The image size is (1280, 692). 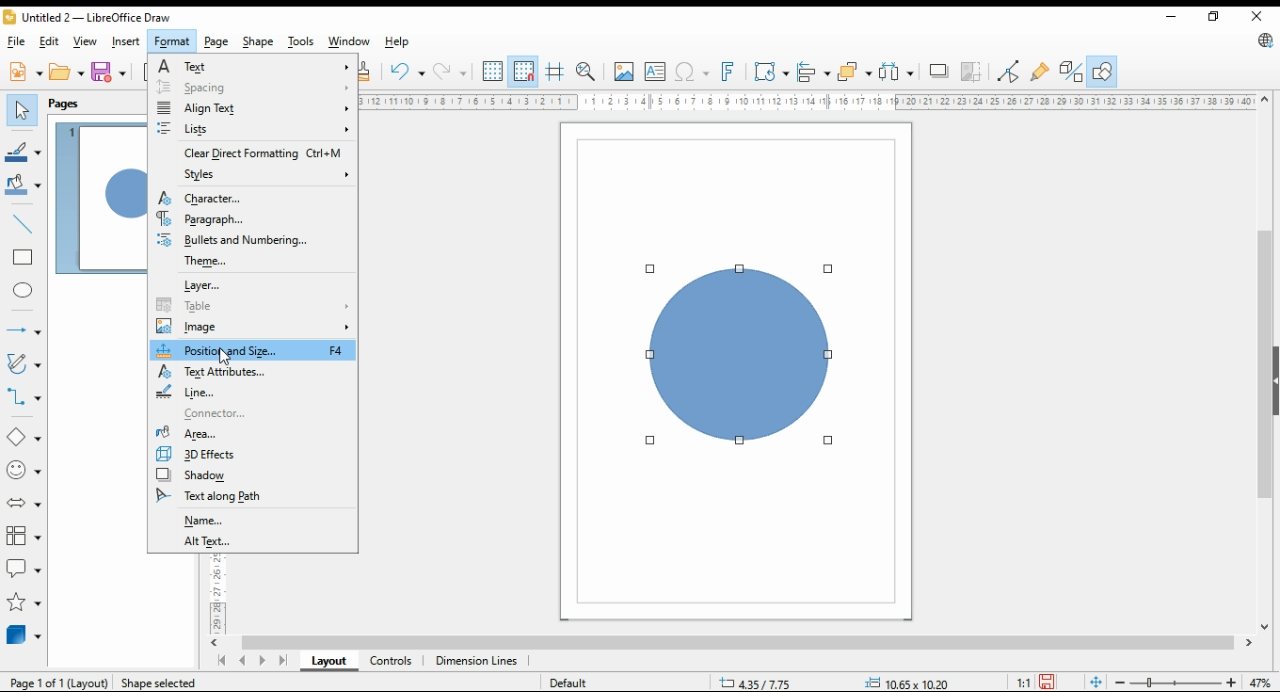 What do you see at coordinates (219, 412) in the screenshot?
I see `connector` at bounding box center [219, 412].